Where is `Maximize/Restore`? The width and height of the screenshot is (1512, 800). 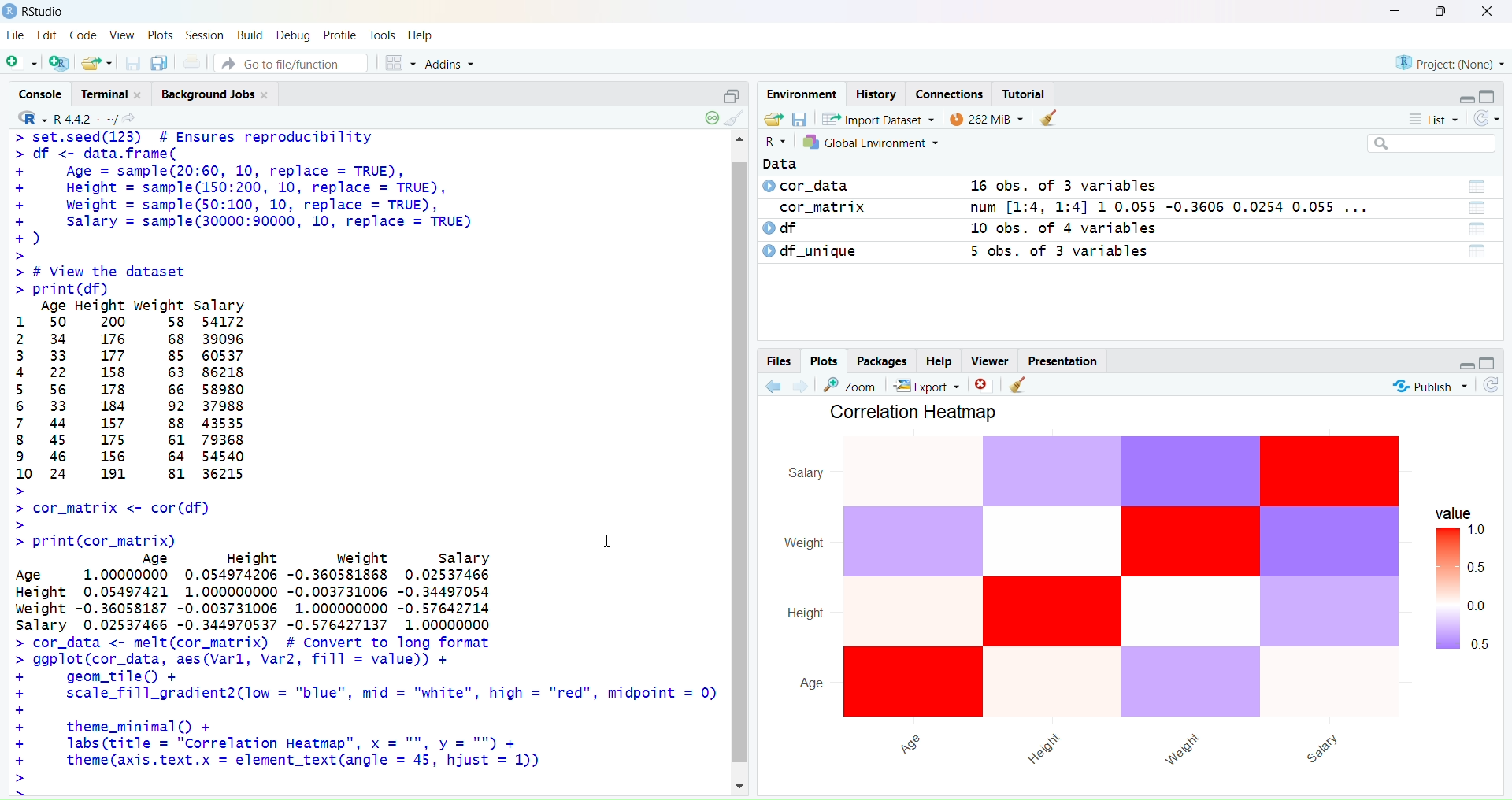
Maximize/Restore is located at coordinates (1489, 93).